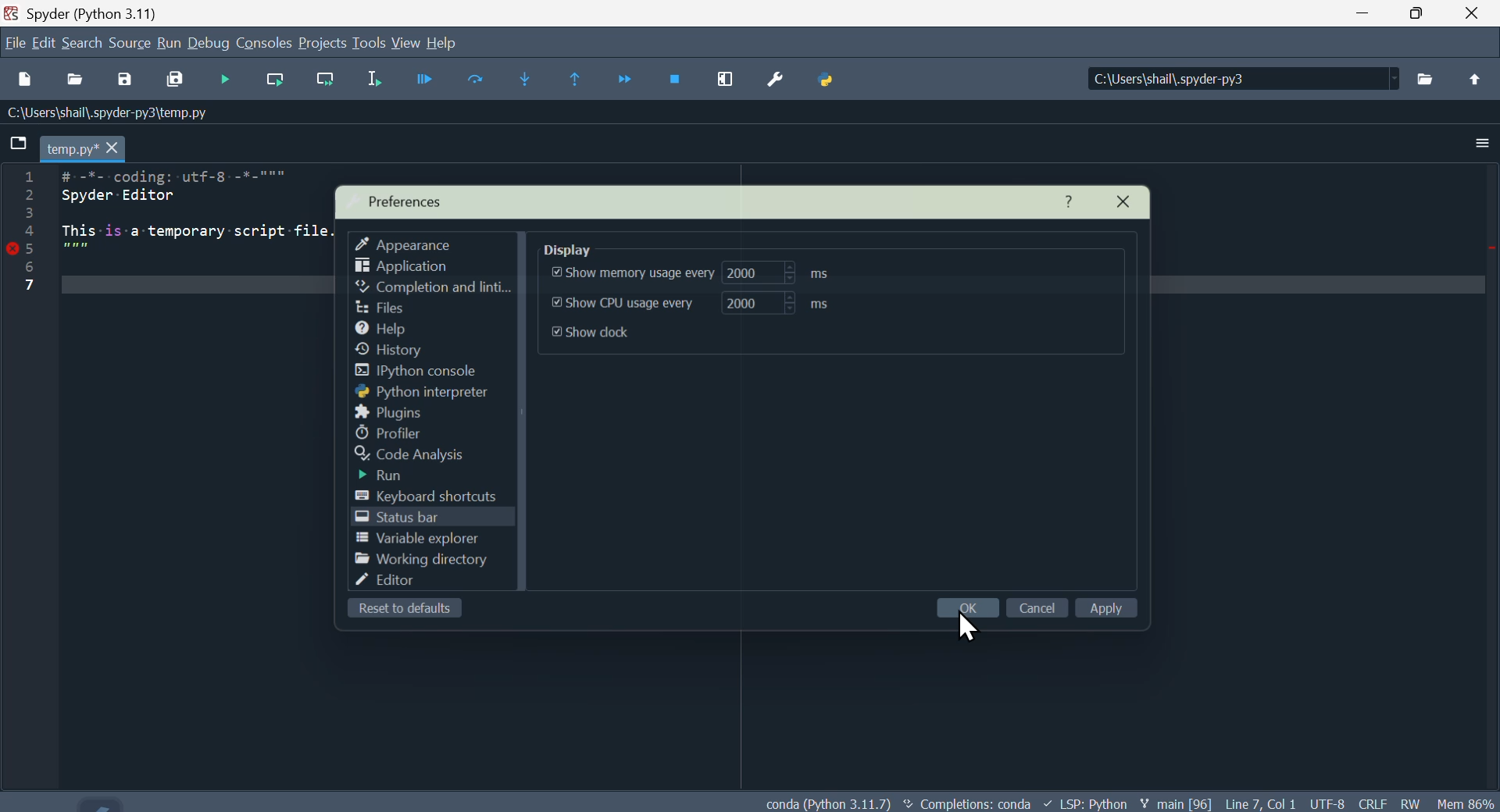 This screenshot has height=812, width=1500. Describe the element at coordinates (81, 147) in the screenshot. I see ` temp.py*` at that location.